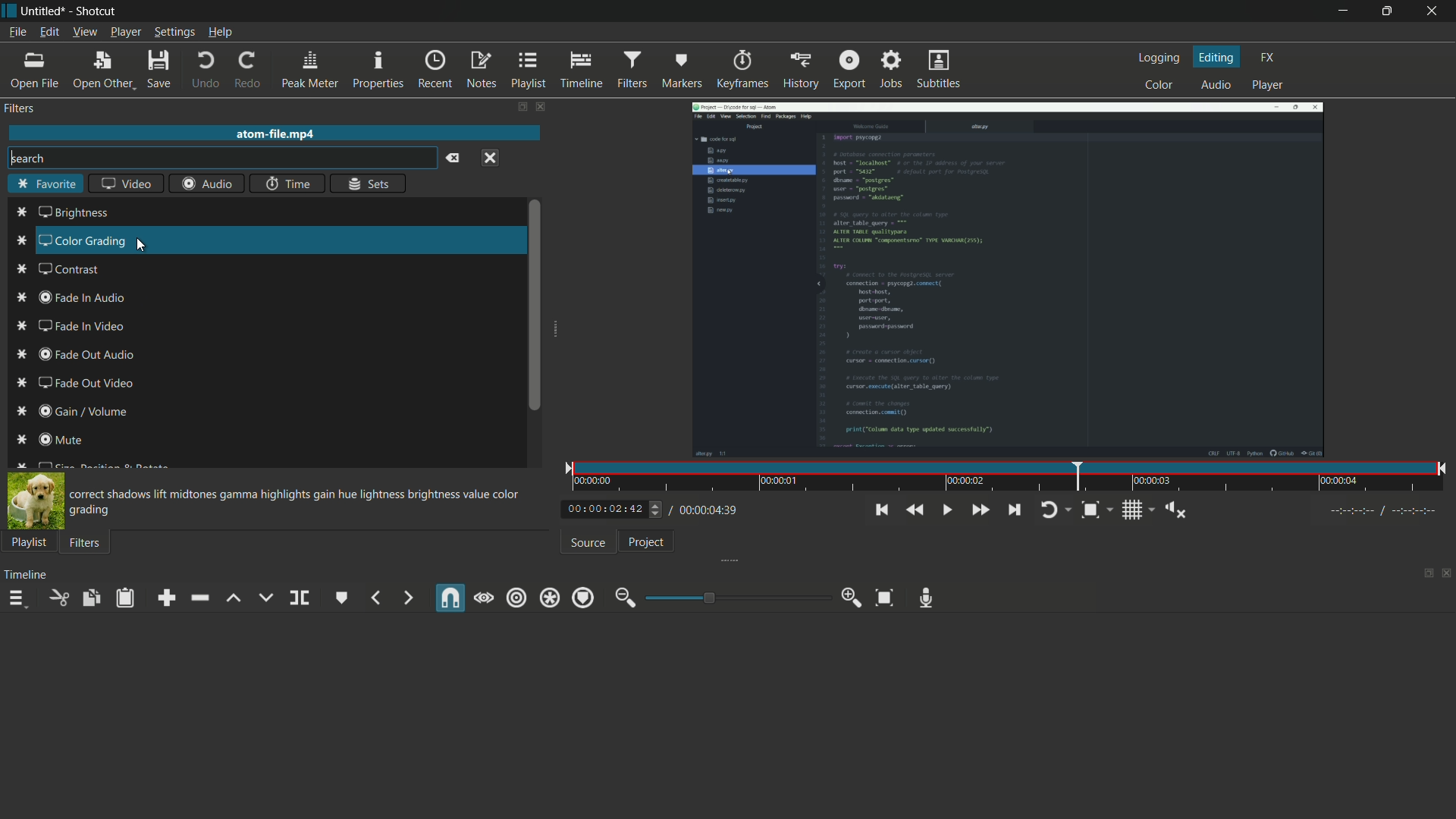 The height and width of the screenshot is (819, 1456). I want to click on timeline menu, so click(20, 601).